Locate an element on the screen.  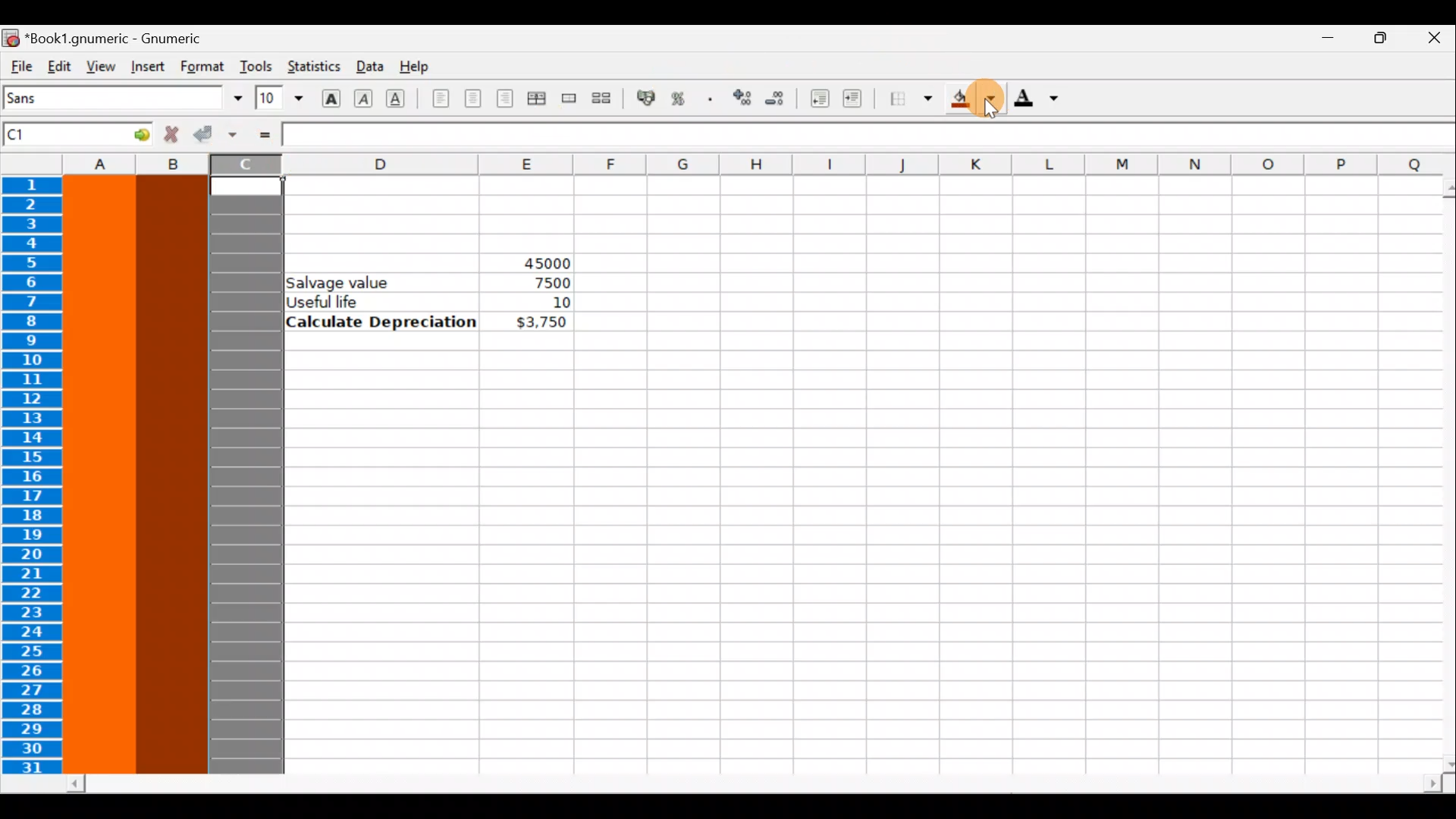
10 is located at coordinates (541, 303).